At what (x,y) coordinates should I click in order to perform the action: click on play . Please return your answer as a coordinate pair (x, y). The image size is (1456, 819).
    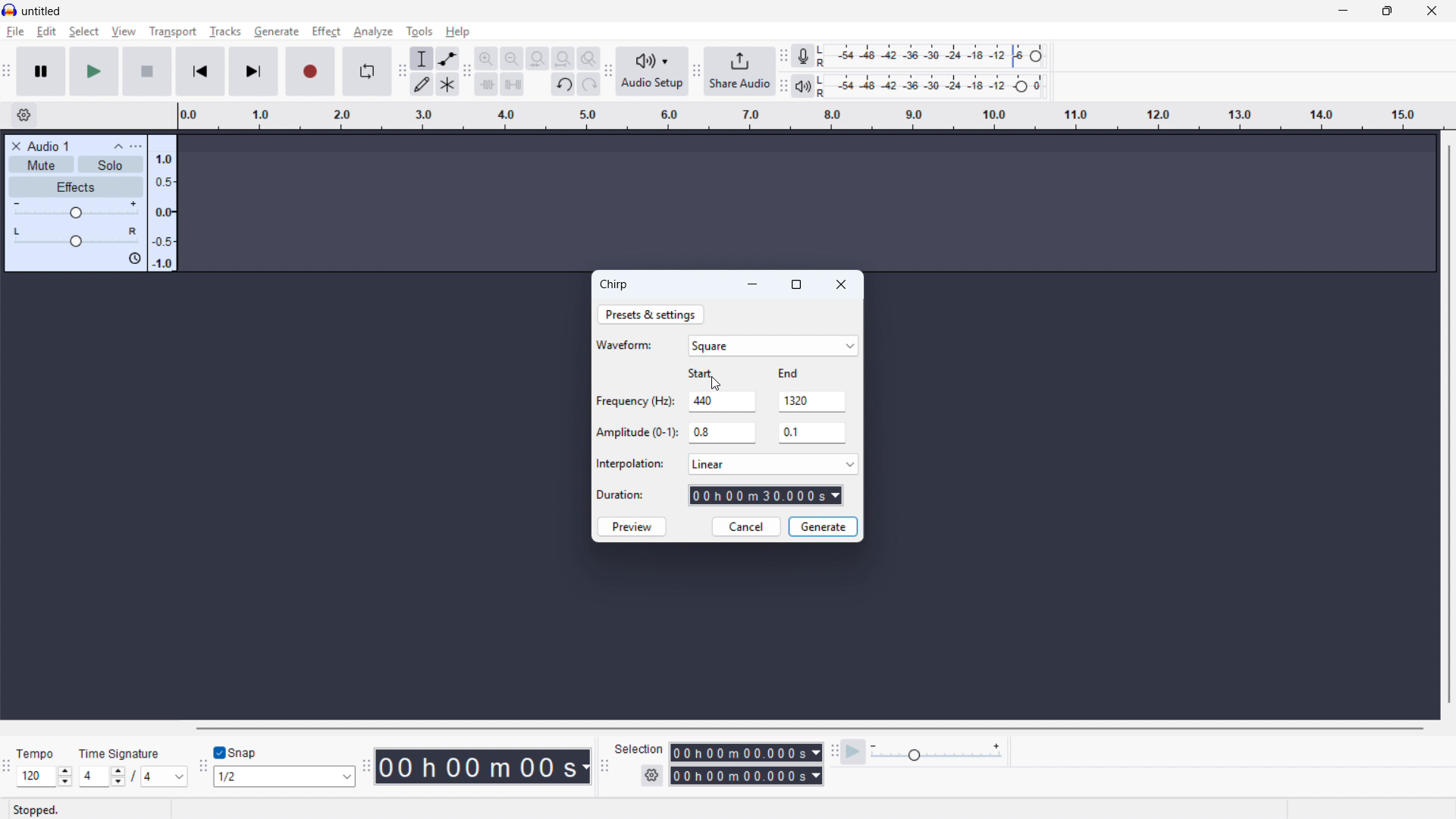
    Looking at the image, I should click on (94, 71).